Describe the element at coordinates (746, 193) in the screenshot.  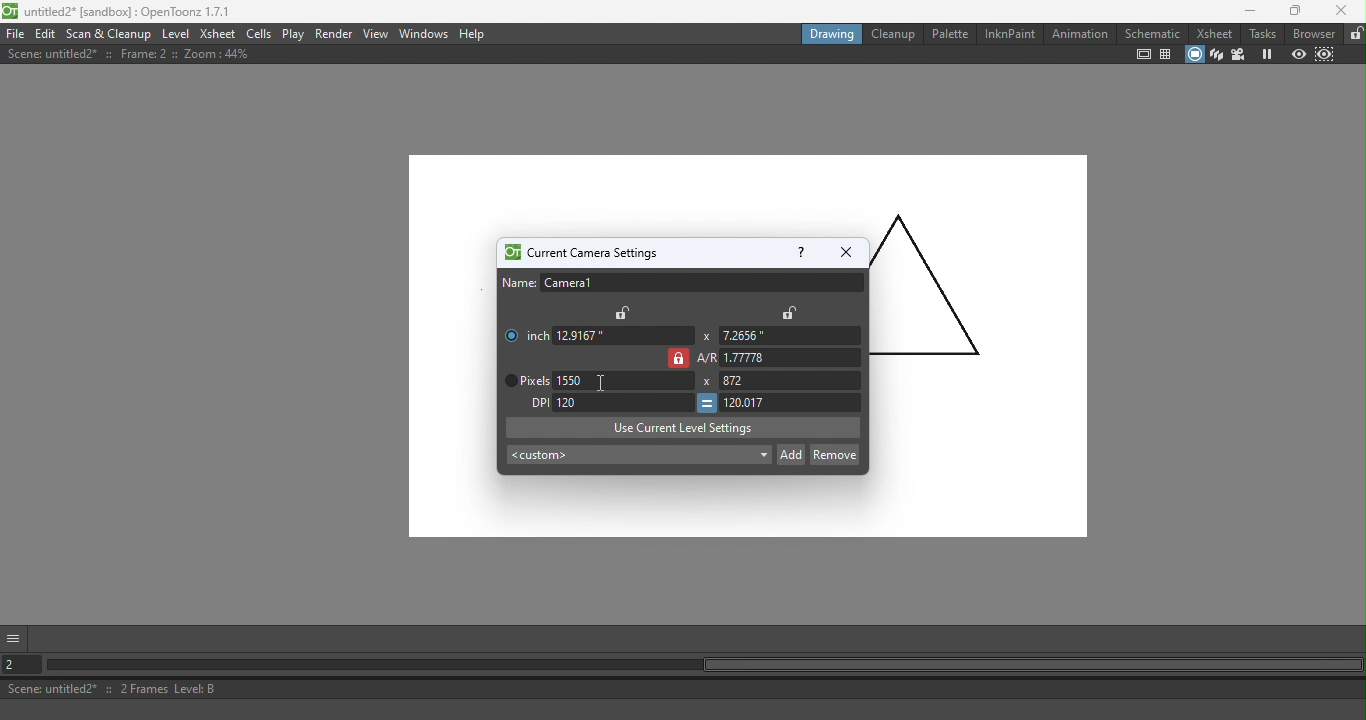
I see `canvas` at that location.